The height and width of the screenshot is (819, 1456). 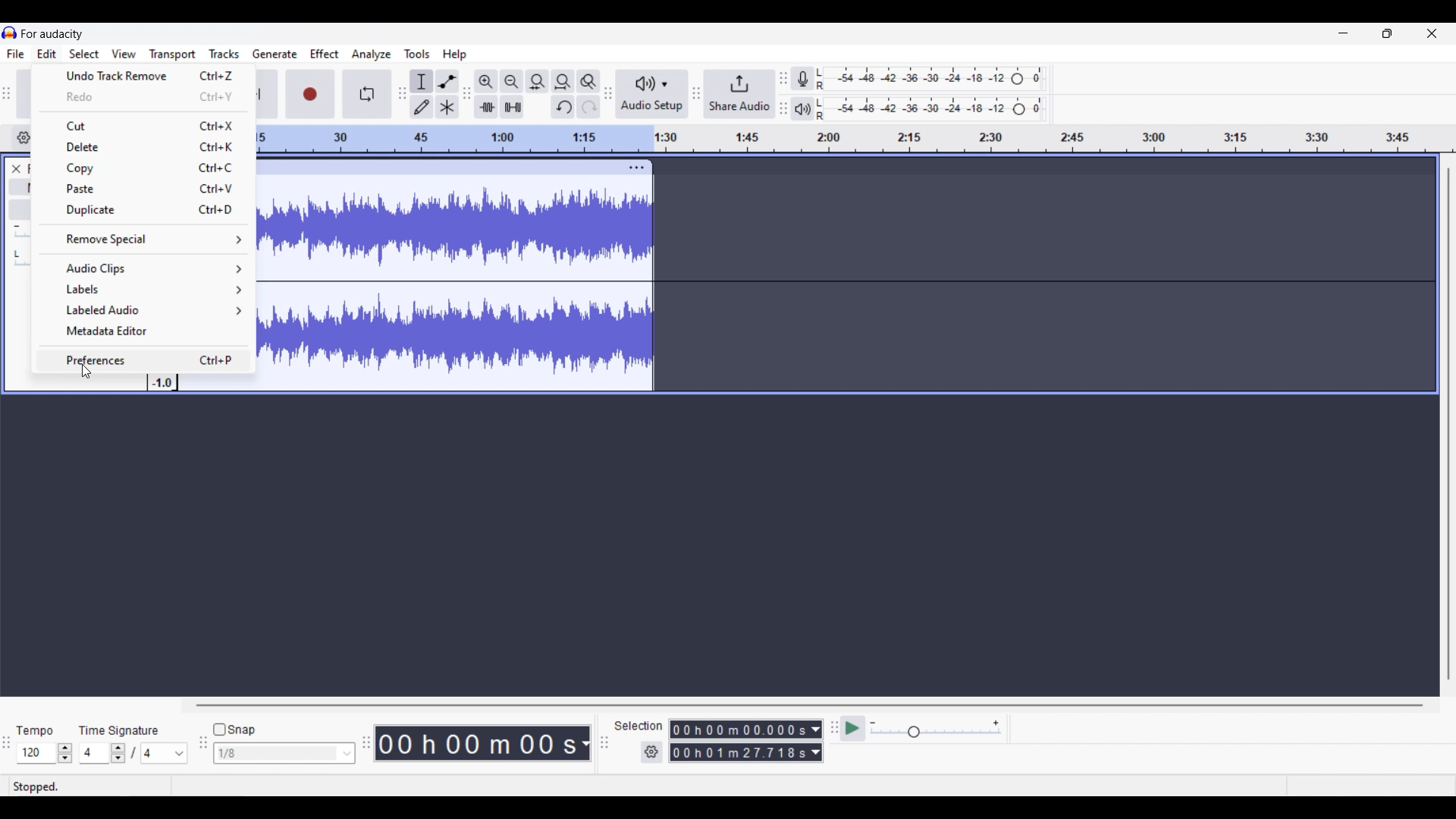 I want to click on Generate menu, so click(x=275, y=54).